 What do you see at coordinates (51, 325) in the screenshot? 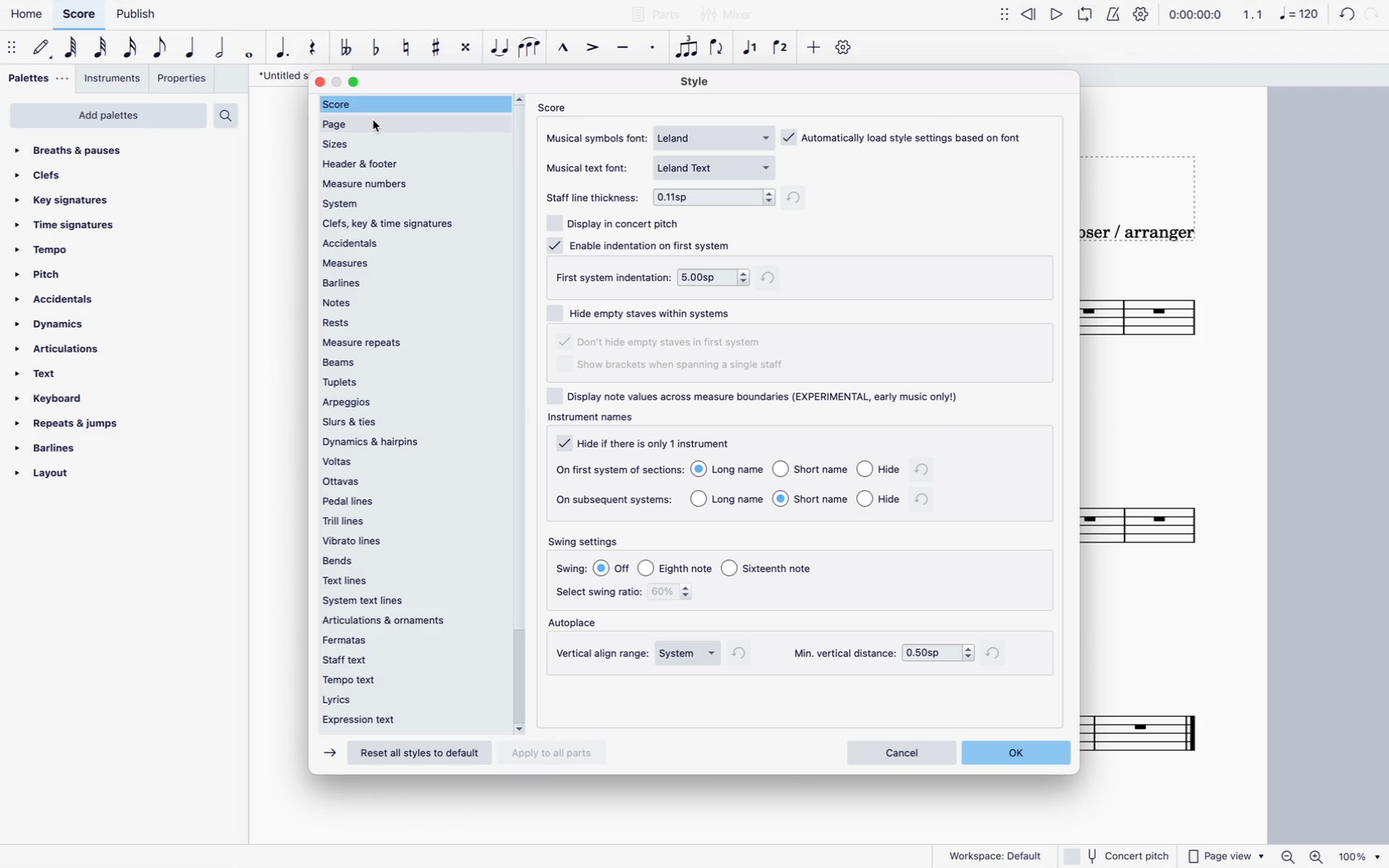
I see `dynamics` at bounding box center [51, 325].